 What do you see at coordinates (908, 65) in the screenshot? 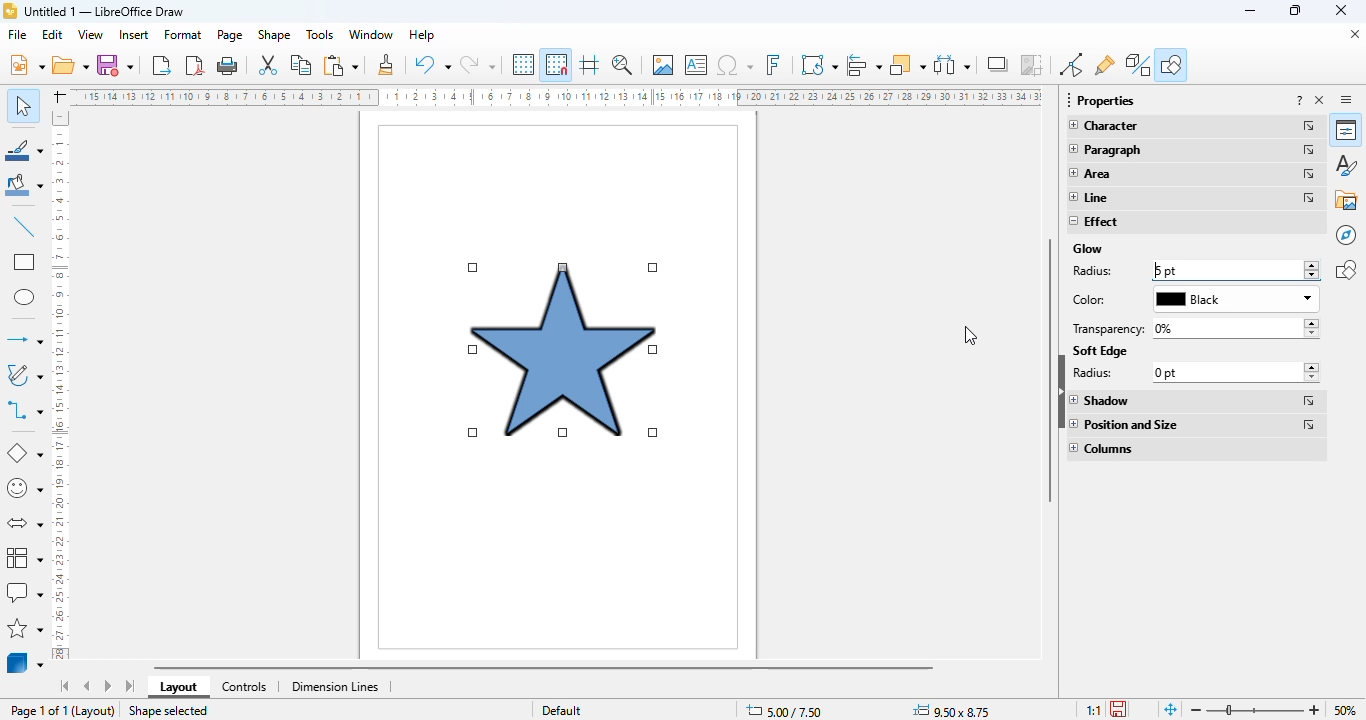
I see `arrange` at bounding box center [908, 65].